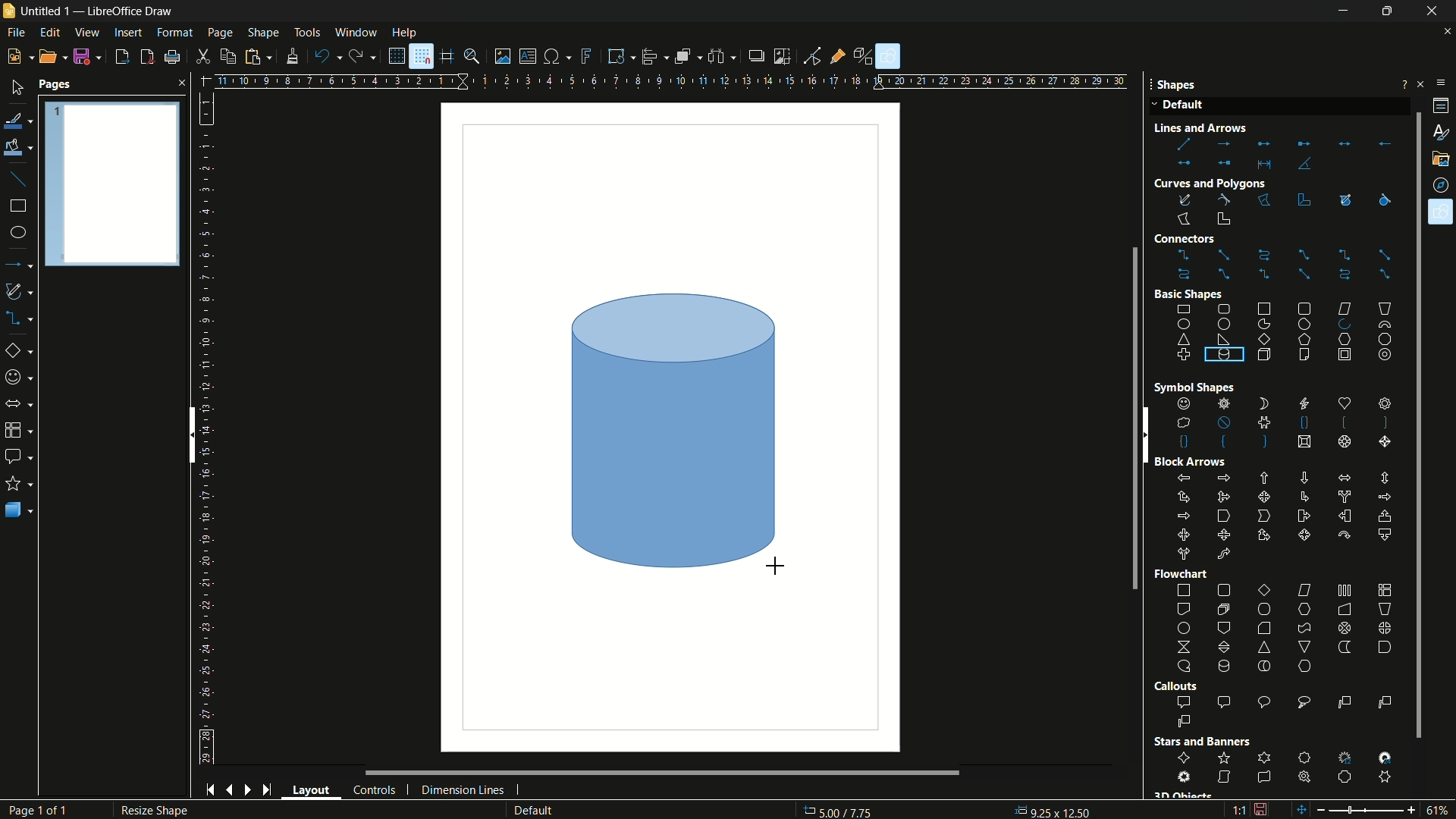 The image size is (1456, 819). What do you see at coordinates (19, 510) in the screenshot?
I see `3D objects` at bounding box center [19, 510].